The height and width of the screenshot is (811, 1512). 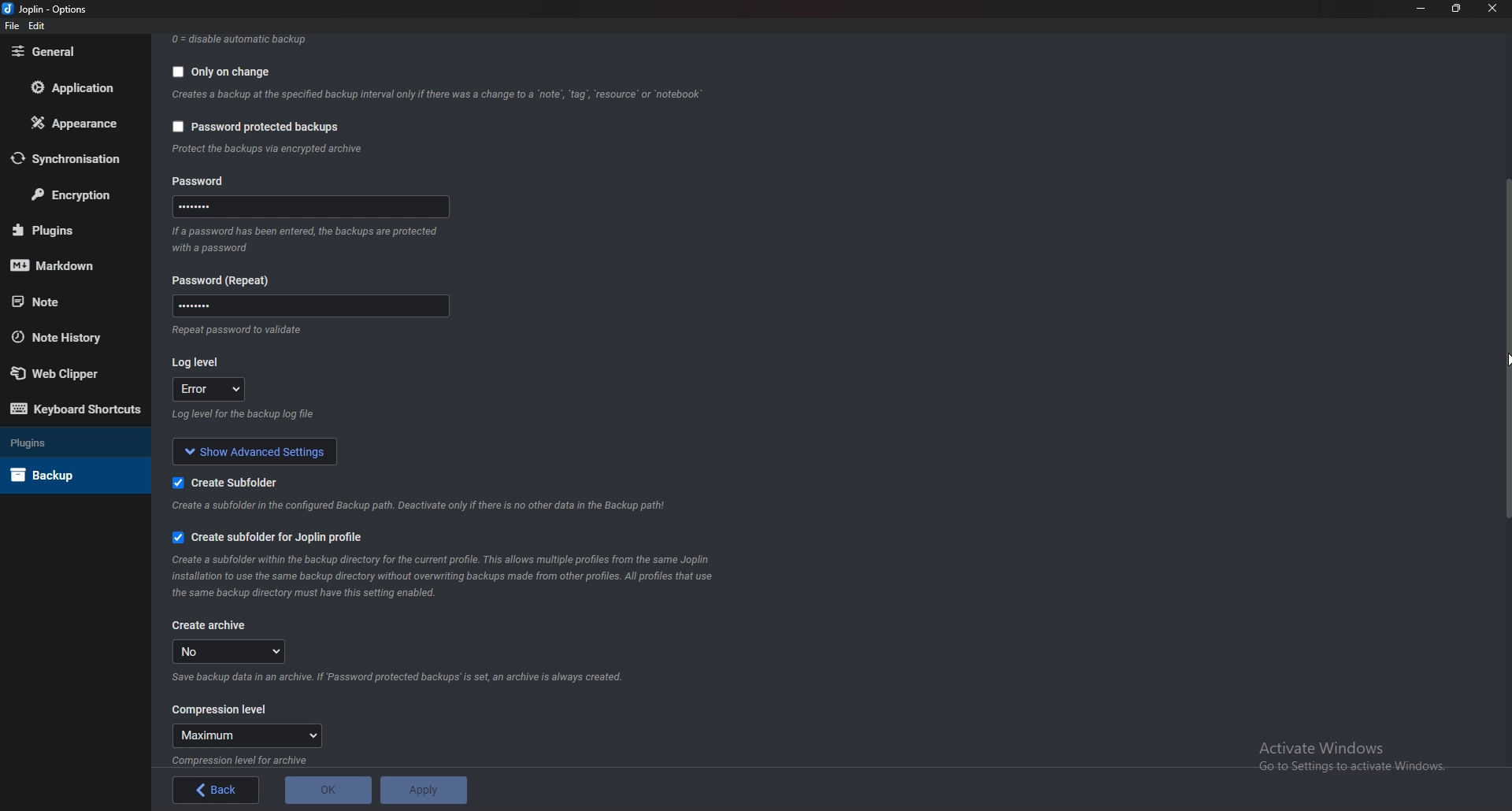 I want to click on Create sub folder, so click(x=235, y=481).